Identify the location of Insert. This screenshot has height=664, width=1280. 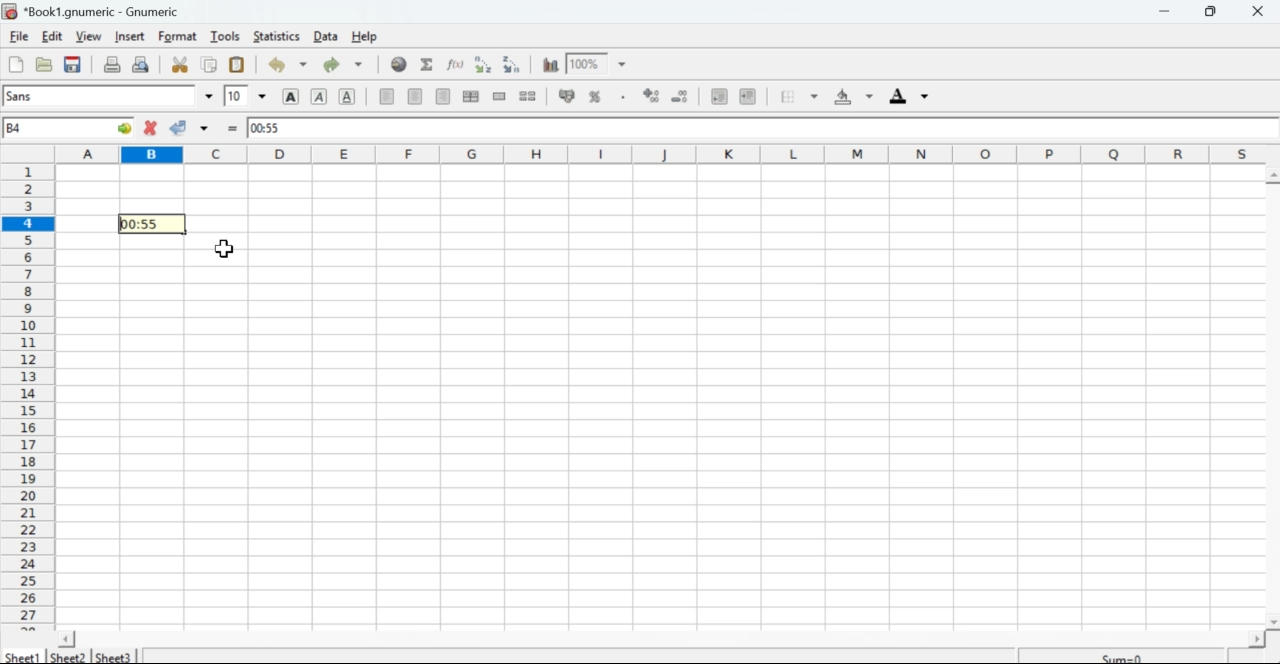
(131, 37).